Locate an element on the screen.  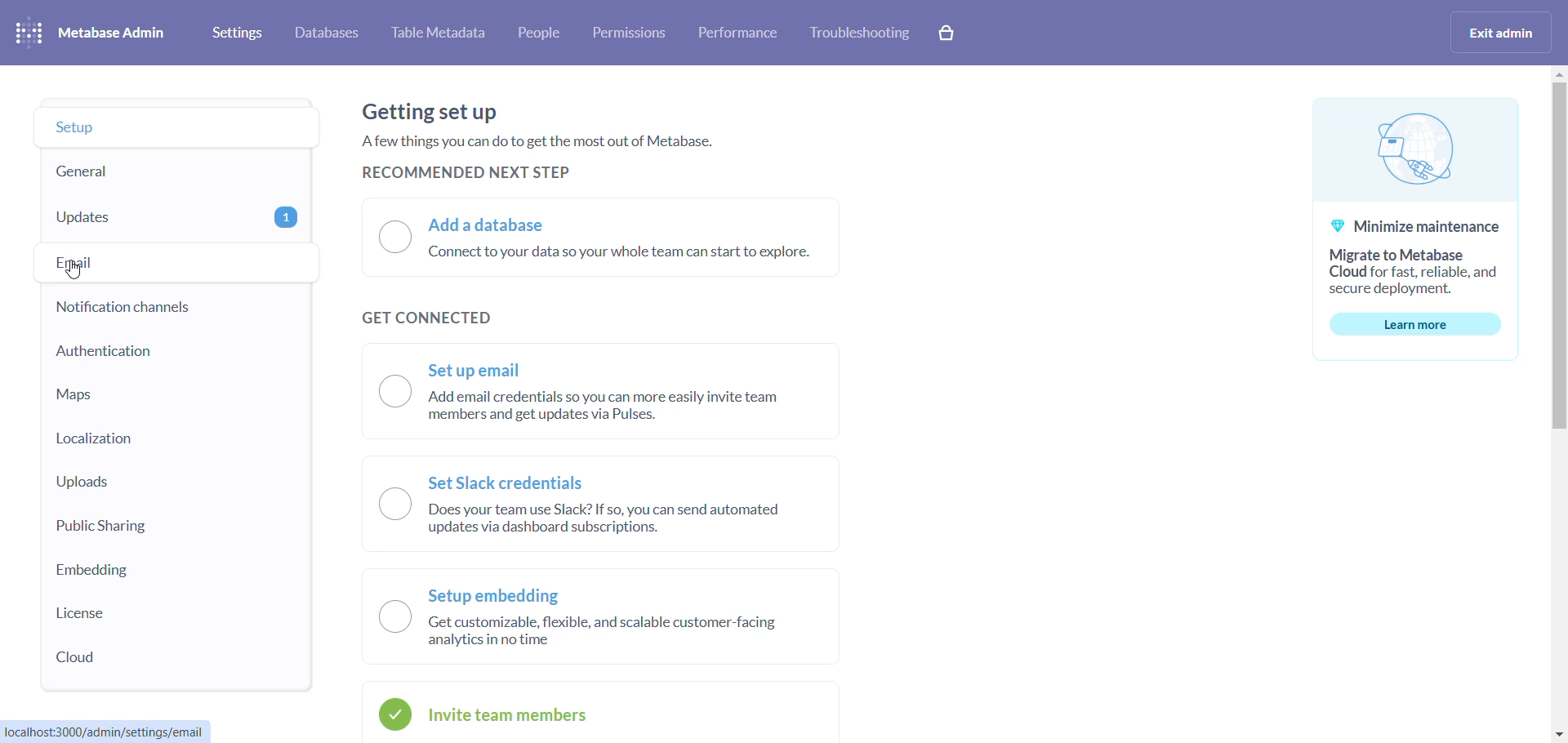
localhost:3000/admin/settings/email is located at coordinates (105, 731).